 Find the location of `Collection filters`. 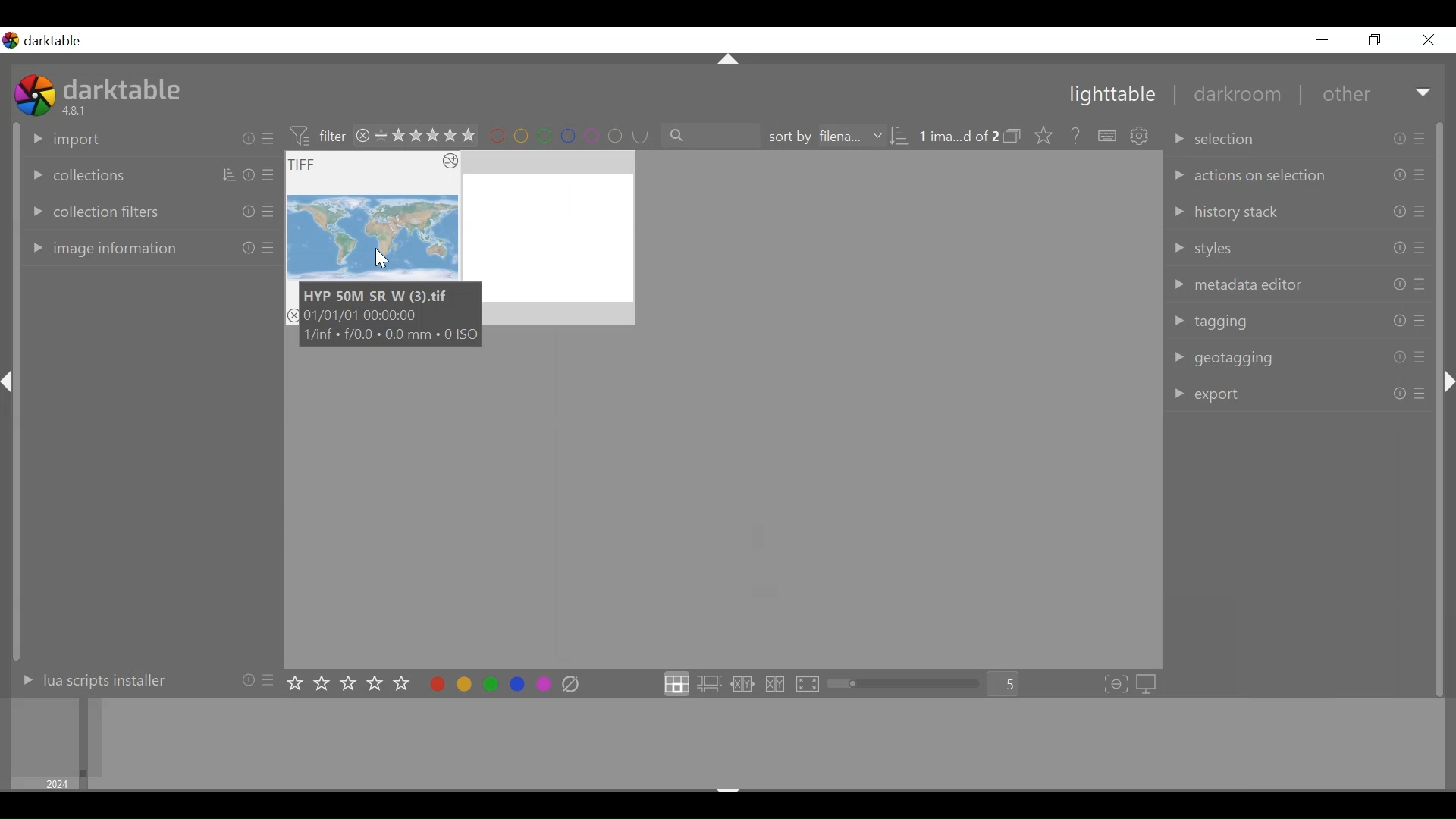

Collection filters is located at coordinates (149, 209).